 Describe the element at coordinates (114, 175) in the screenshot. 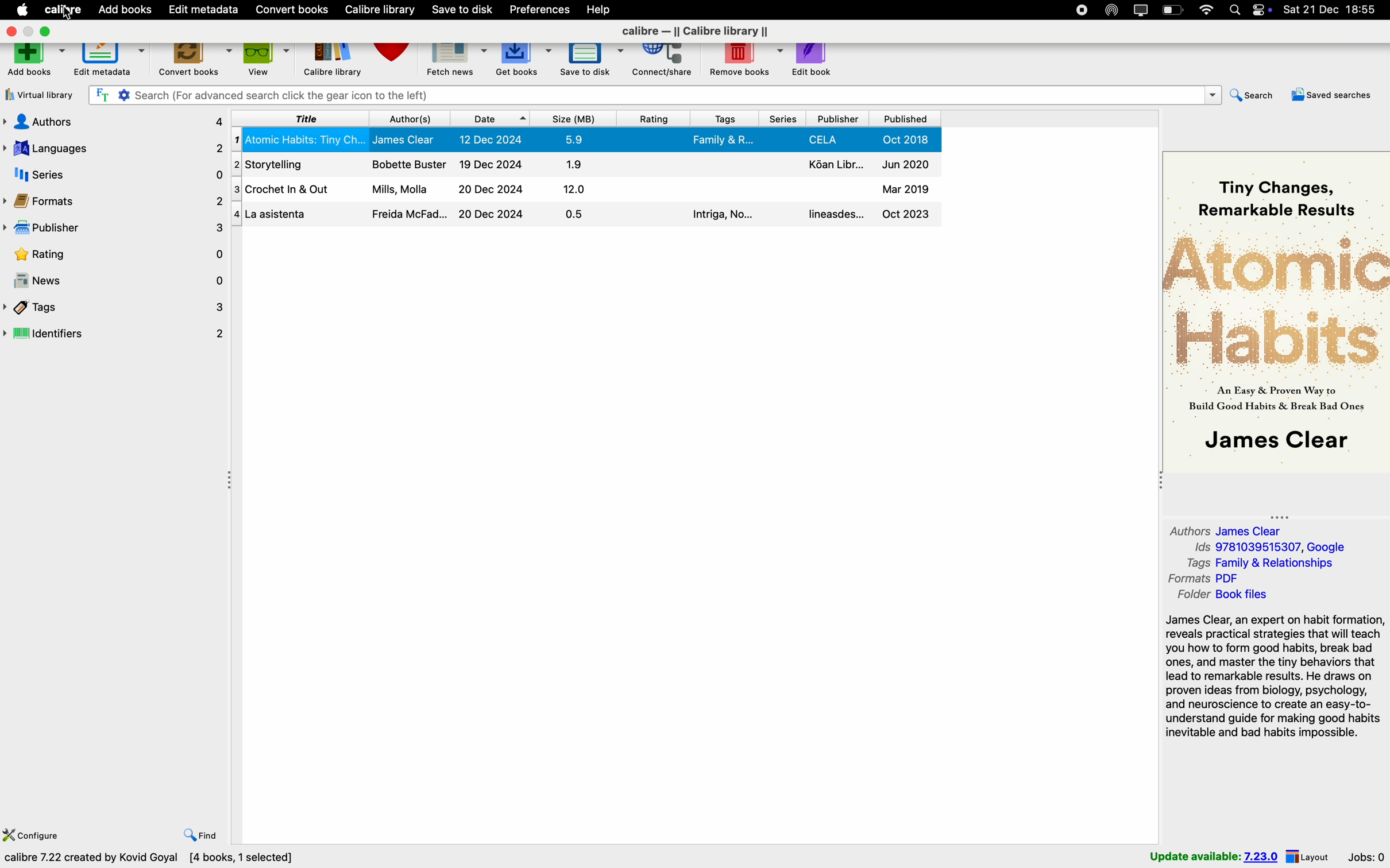

I see `series` at that location.